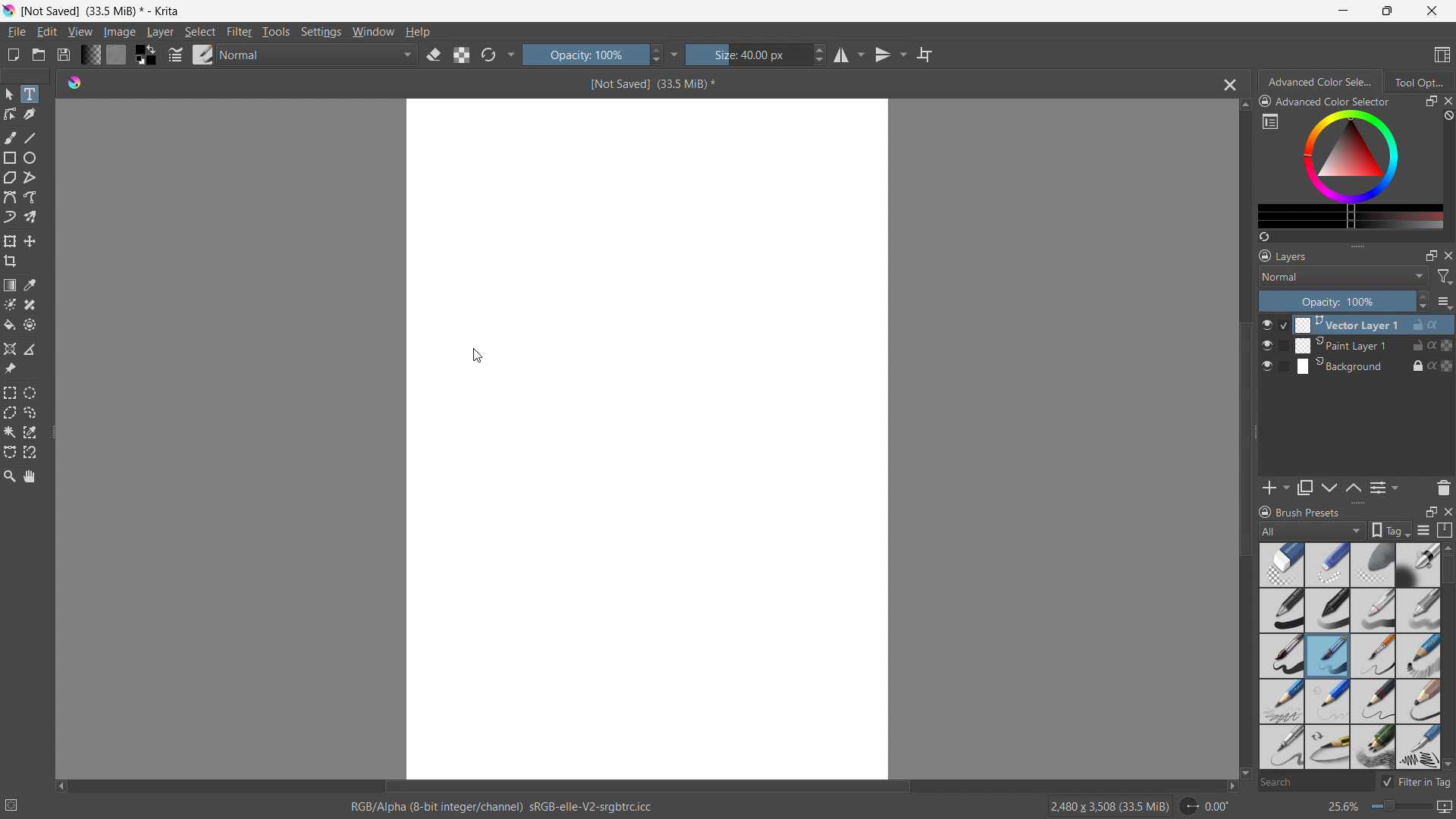  Describe the element at coordinates (61, 783) in the screenshot. I see `scroll left` at that location.